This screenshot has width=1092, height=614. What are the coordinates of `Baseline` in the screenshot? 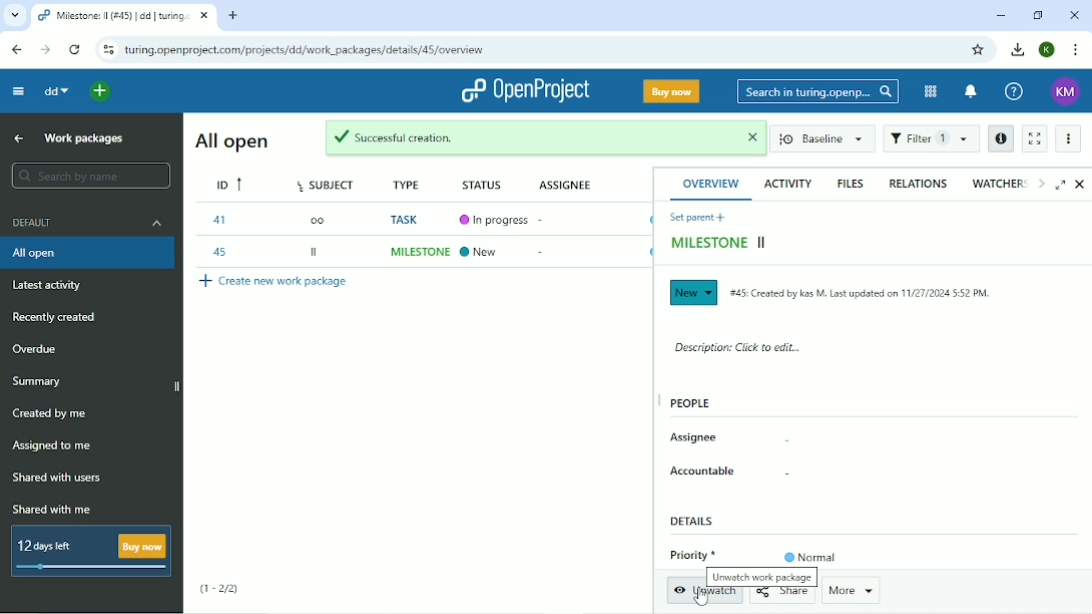 It's located at (822, 140).